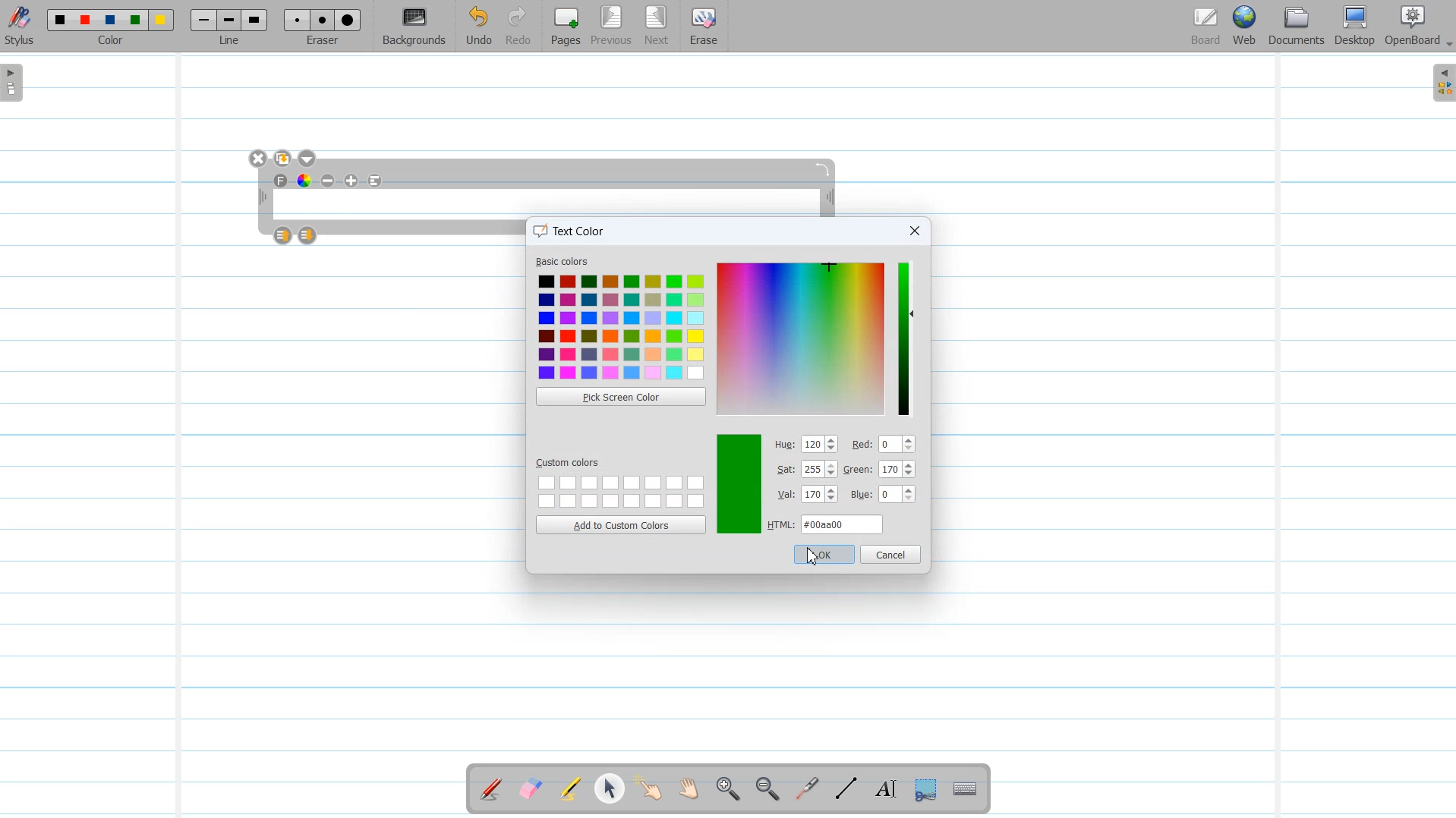  Describe the element at coordinates (518, 27) in the screenshot. I see `Redo` at that location.